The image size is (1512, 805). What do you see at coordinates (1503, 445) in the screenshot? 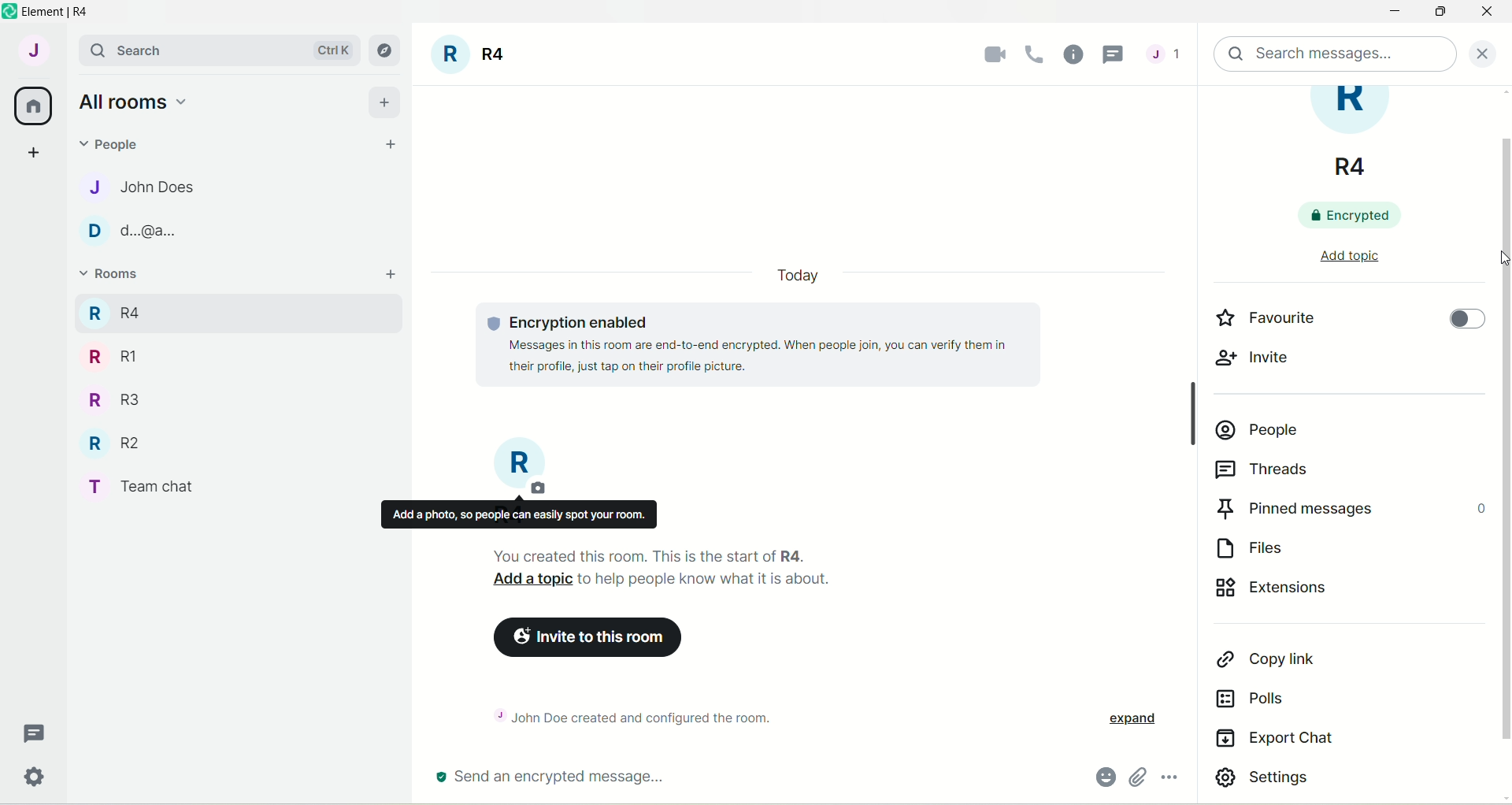
I see `vertical scroll bar` at bounding box center [1503, 445].